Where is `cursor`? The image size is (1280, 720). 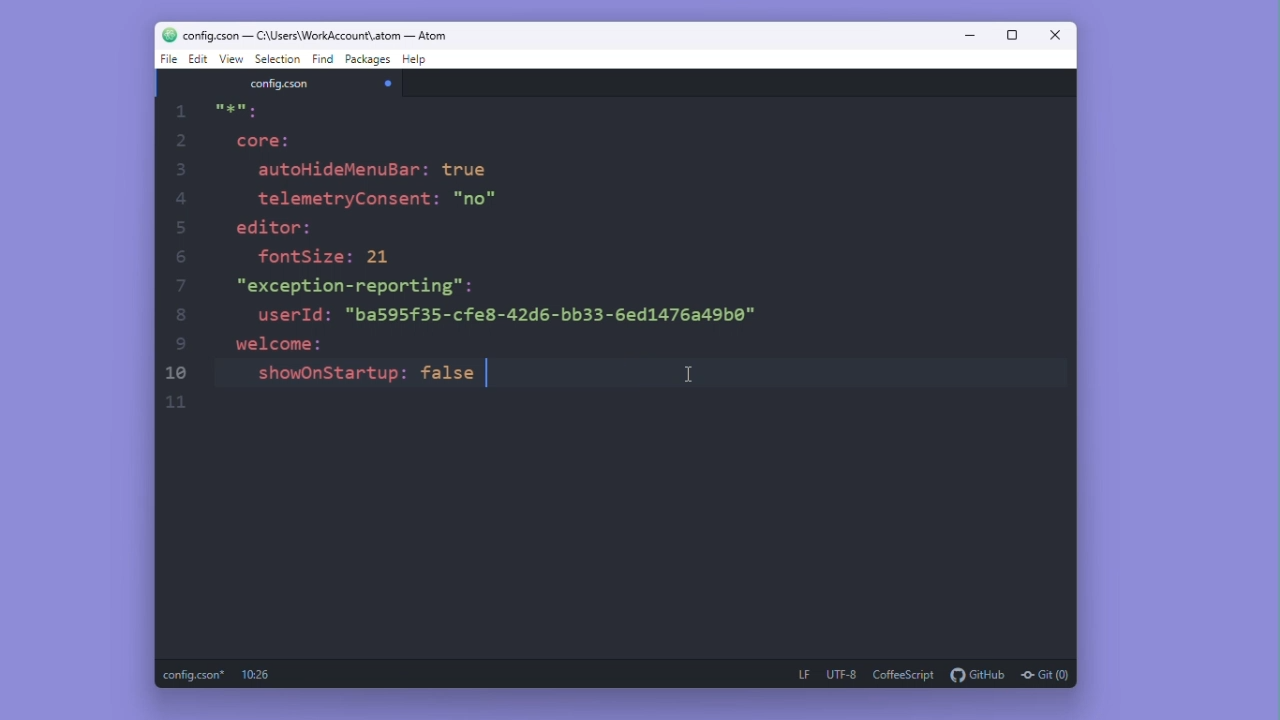
cursor is located at coordinates (689, 372).